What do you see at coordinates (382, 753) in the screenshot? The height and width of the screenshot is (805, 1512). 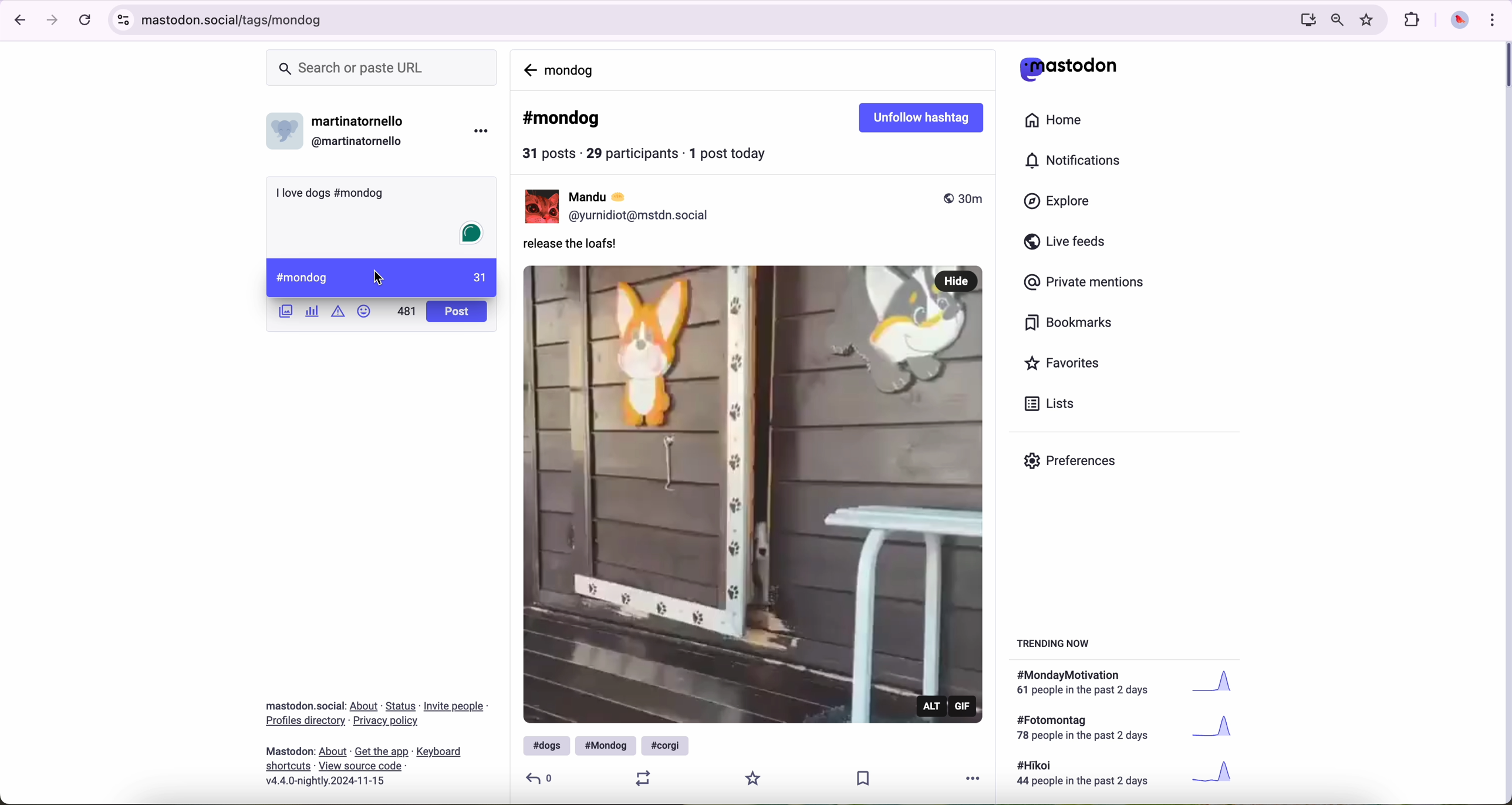 I see `link` at bounding box center [382, 753].